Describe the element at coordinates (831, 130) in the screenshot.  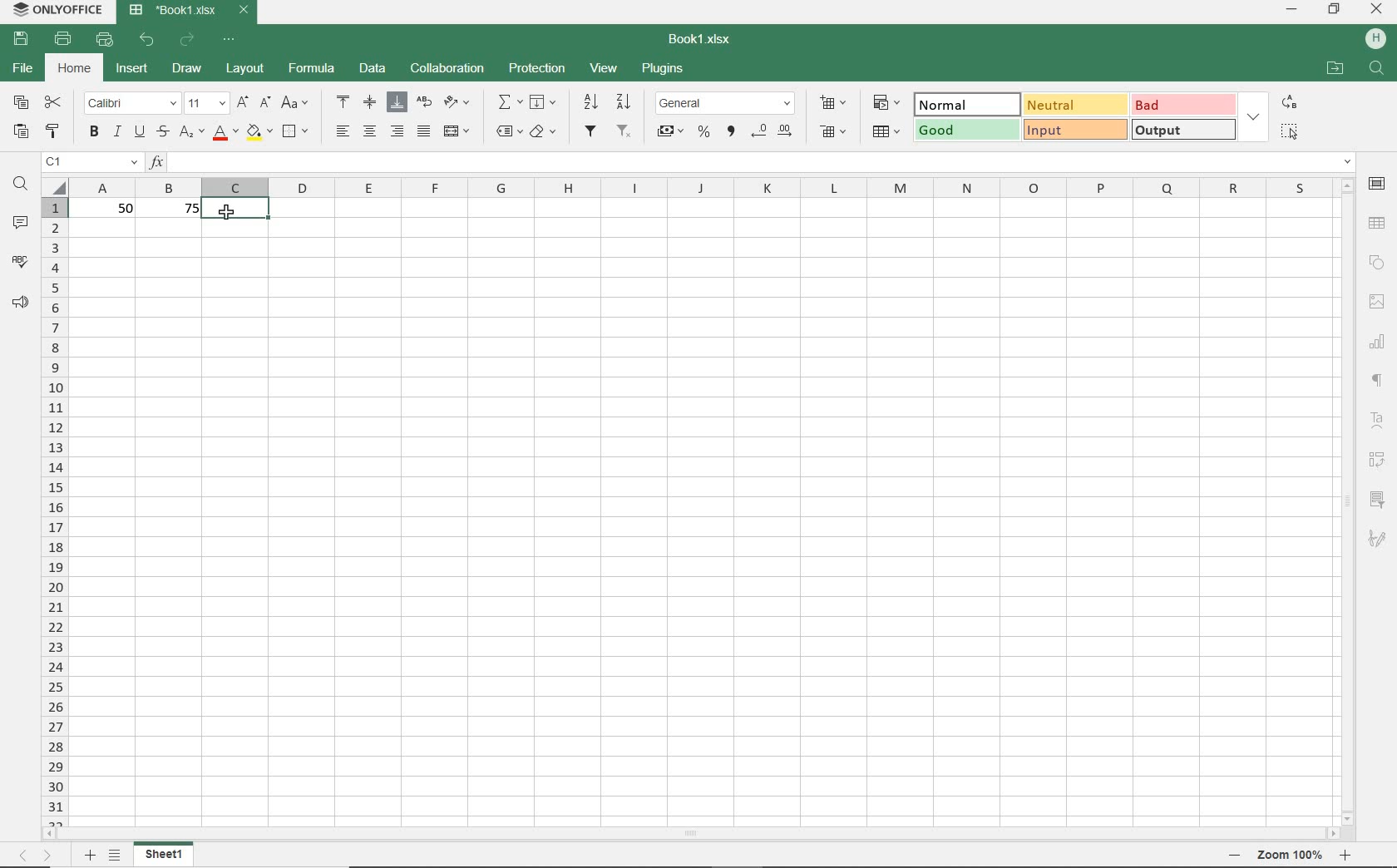
I see `delete cells` at that location.